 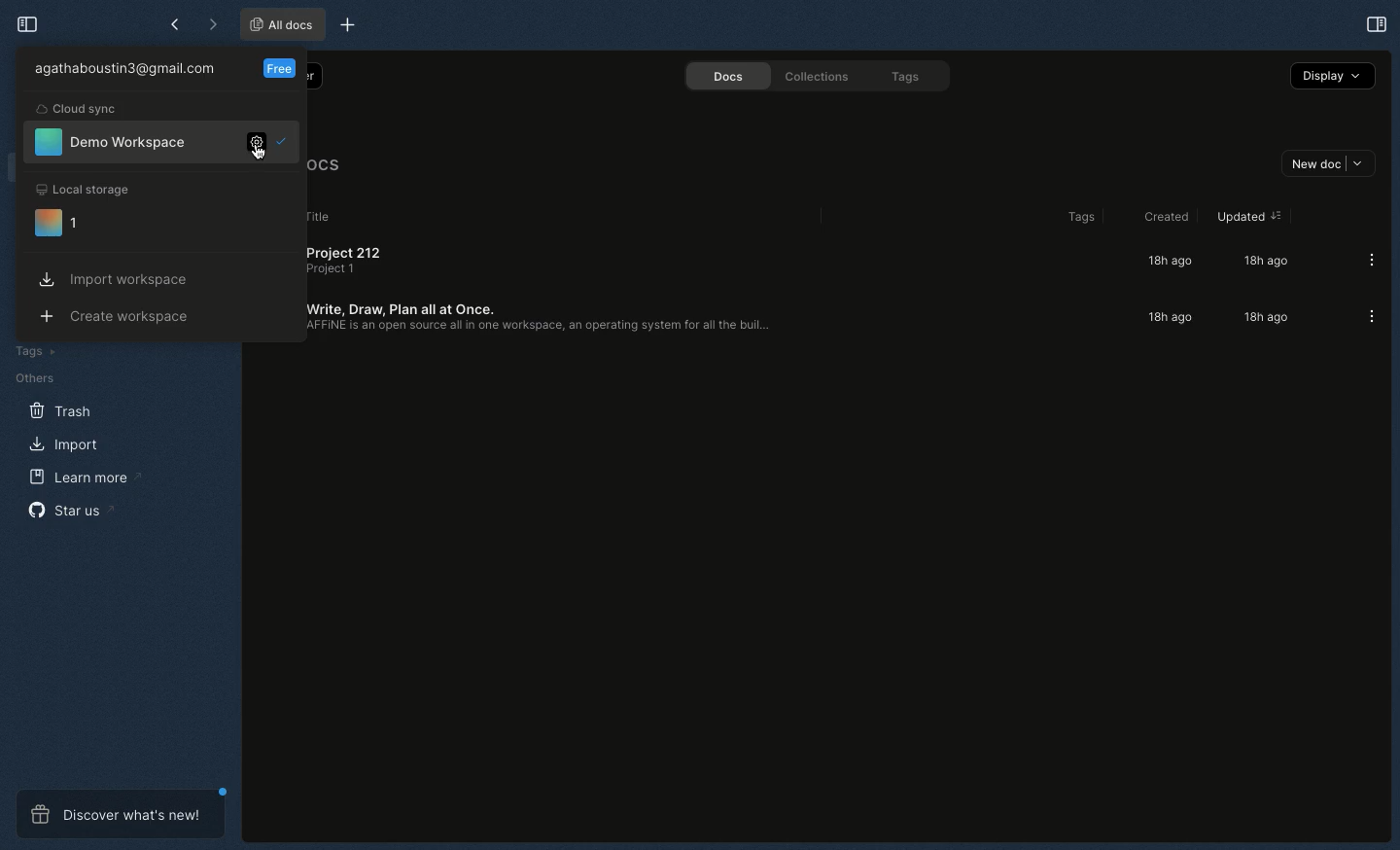 I want to click on 18h ago, so click(x=1263, y=261).